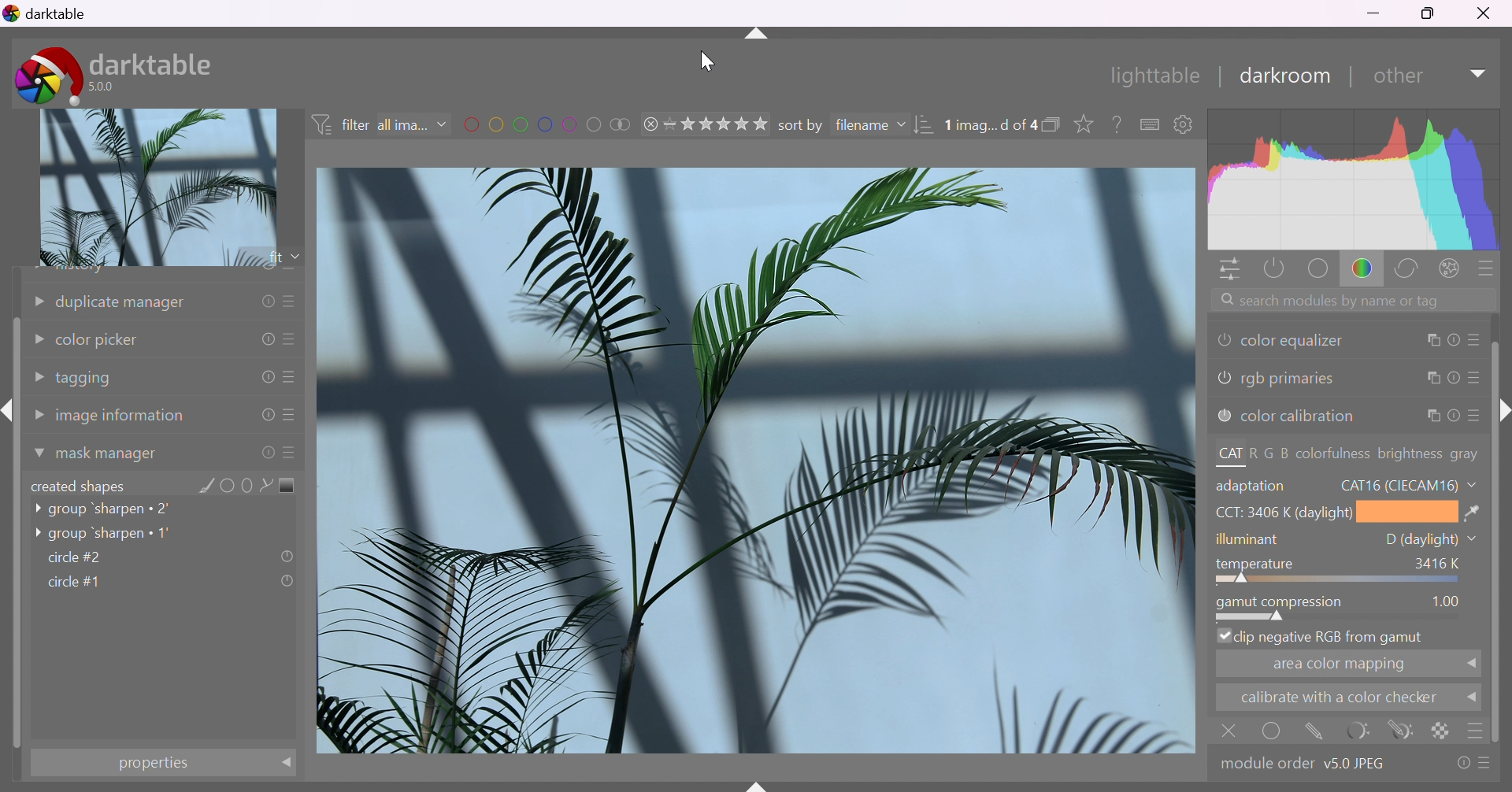  I want to click on histogram, so click(1351, 180).